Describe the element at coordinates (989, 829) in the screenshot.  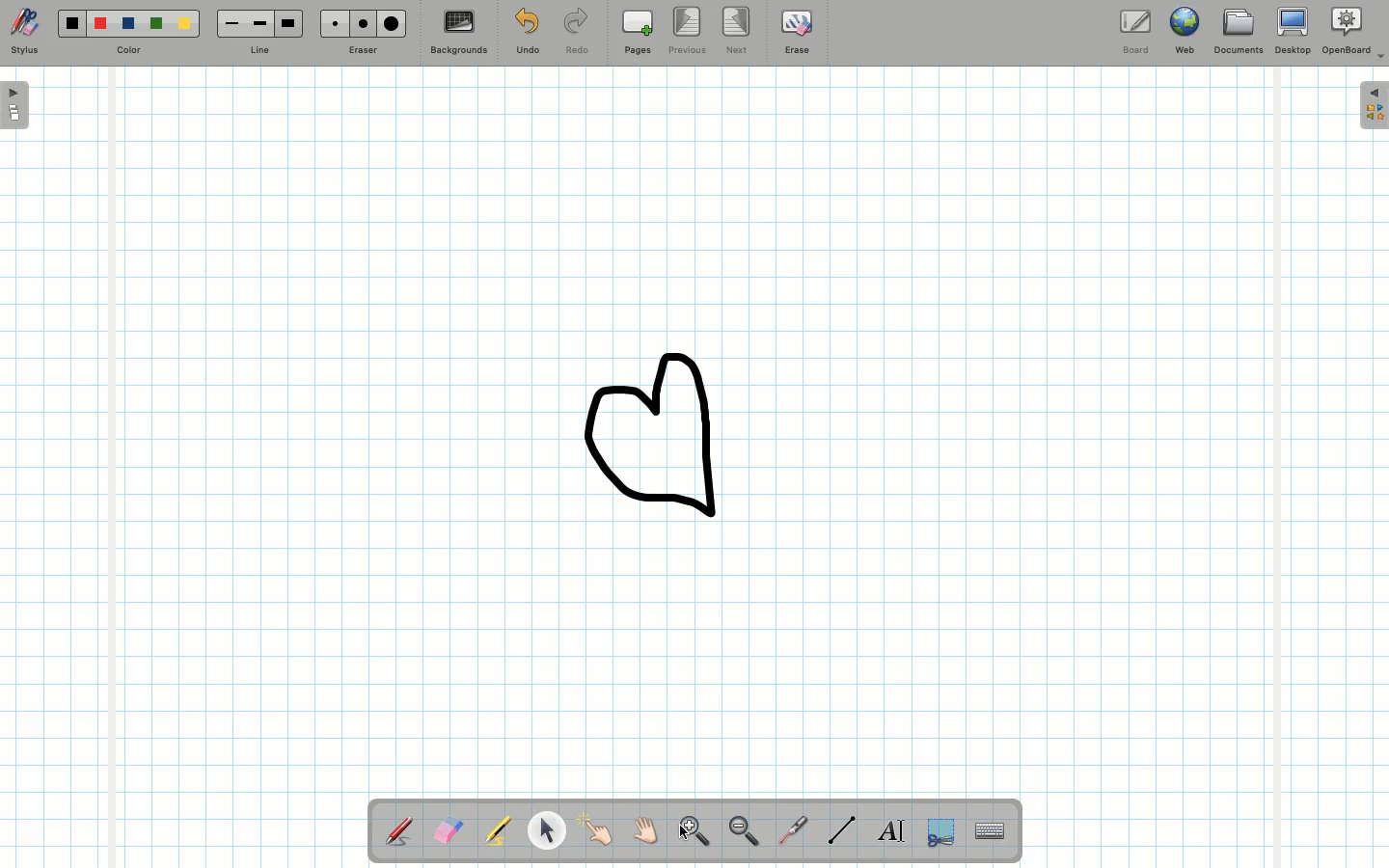
I see `TextInput` at that location.